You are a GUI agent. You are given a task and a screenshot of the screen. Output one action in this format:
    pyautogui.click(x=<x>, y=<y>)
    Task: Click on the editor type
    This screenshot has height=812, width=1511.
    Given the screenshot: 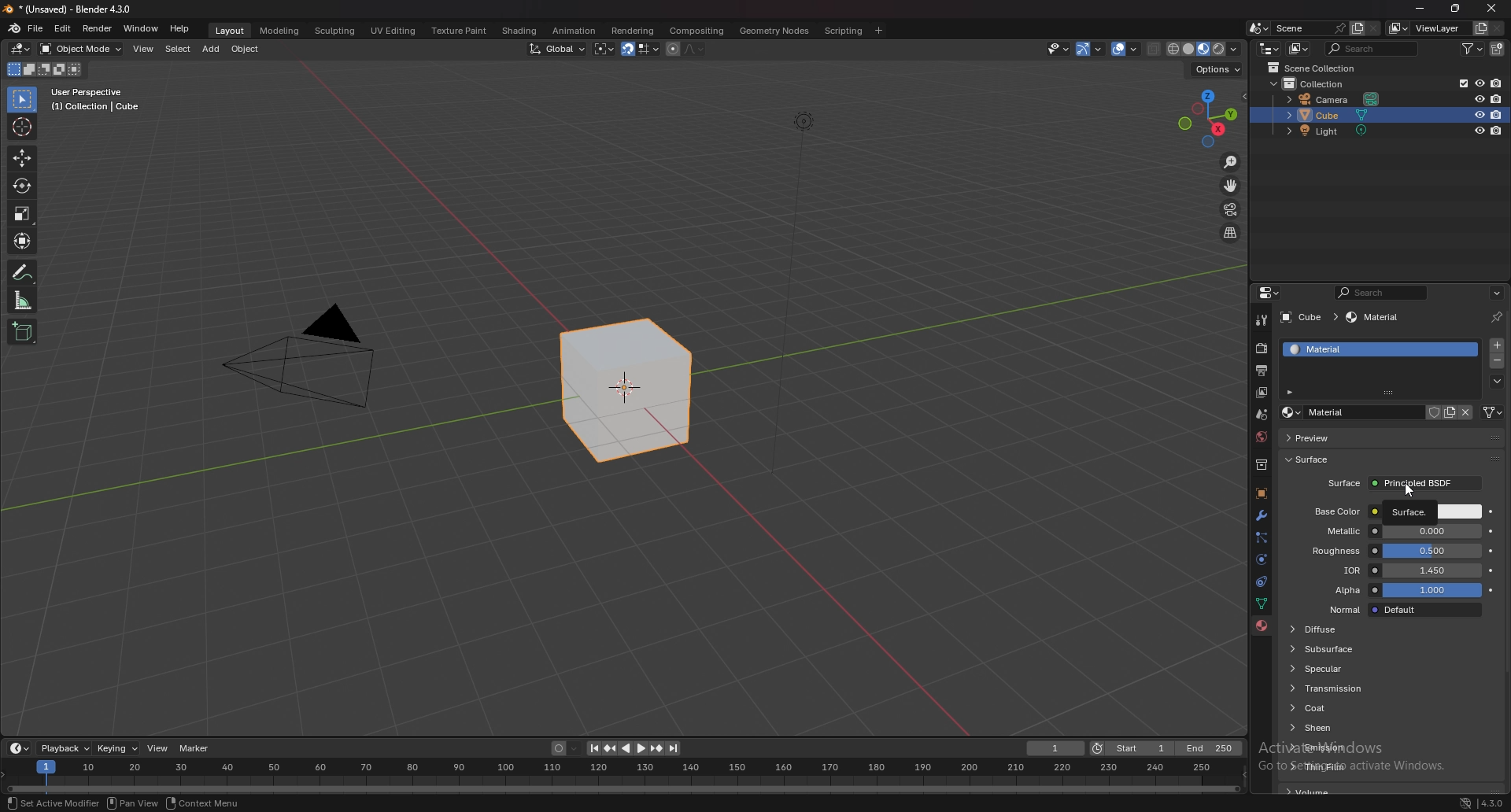 What is the action you would take?
    pyautogui.click(x=1269, y=48)
    